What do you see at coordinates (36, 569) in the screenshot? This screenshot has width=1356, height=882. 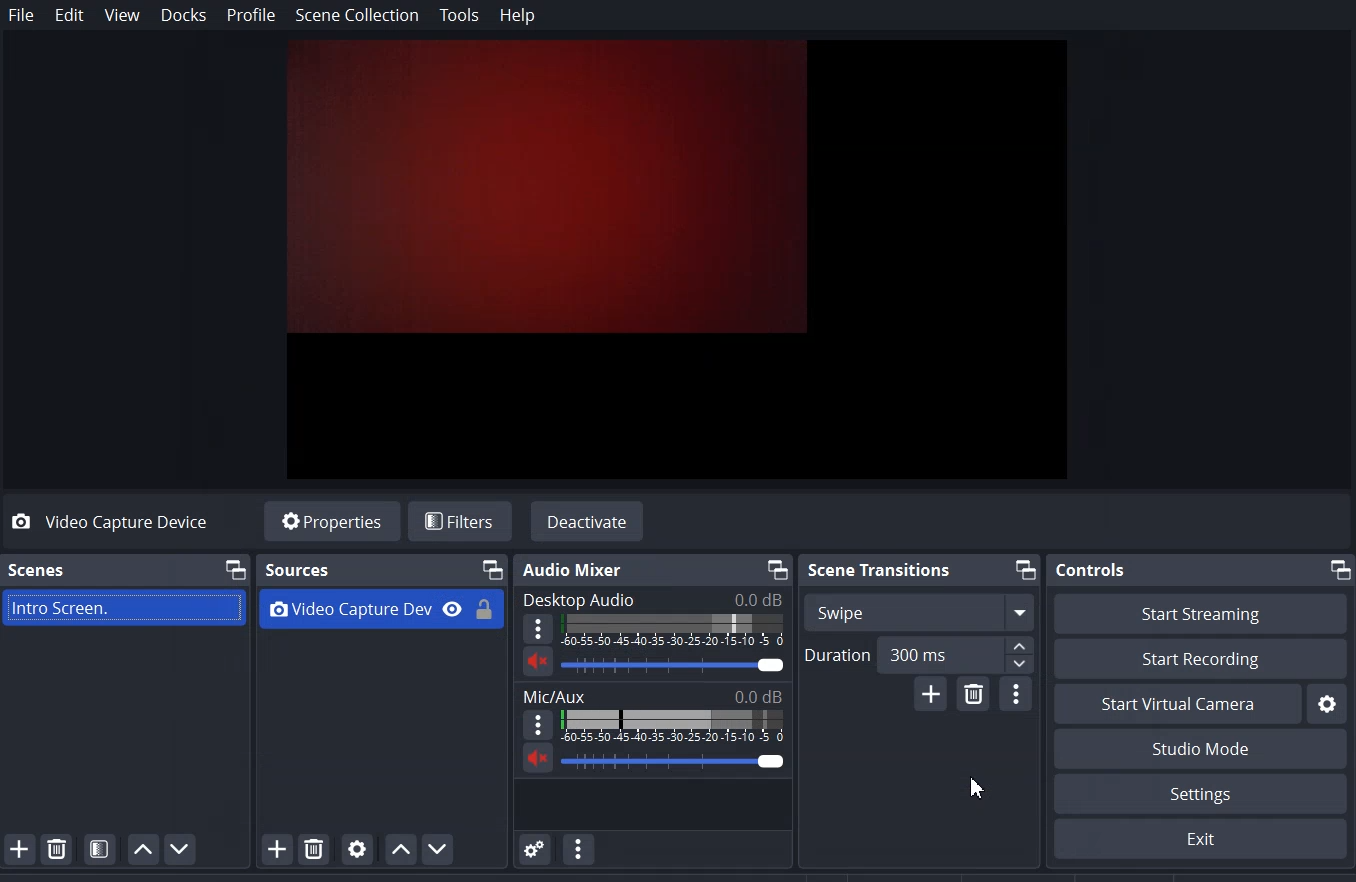 I see `Scene` at bounding box center [36, 569].